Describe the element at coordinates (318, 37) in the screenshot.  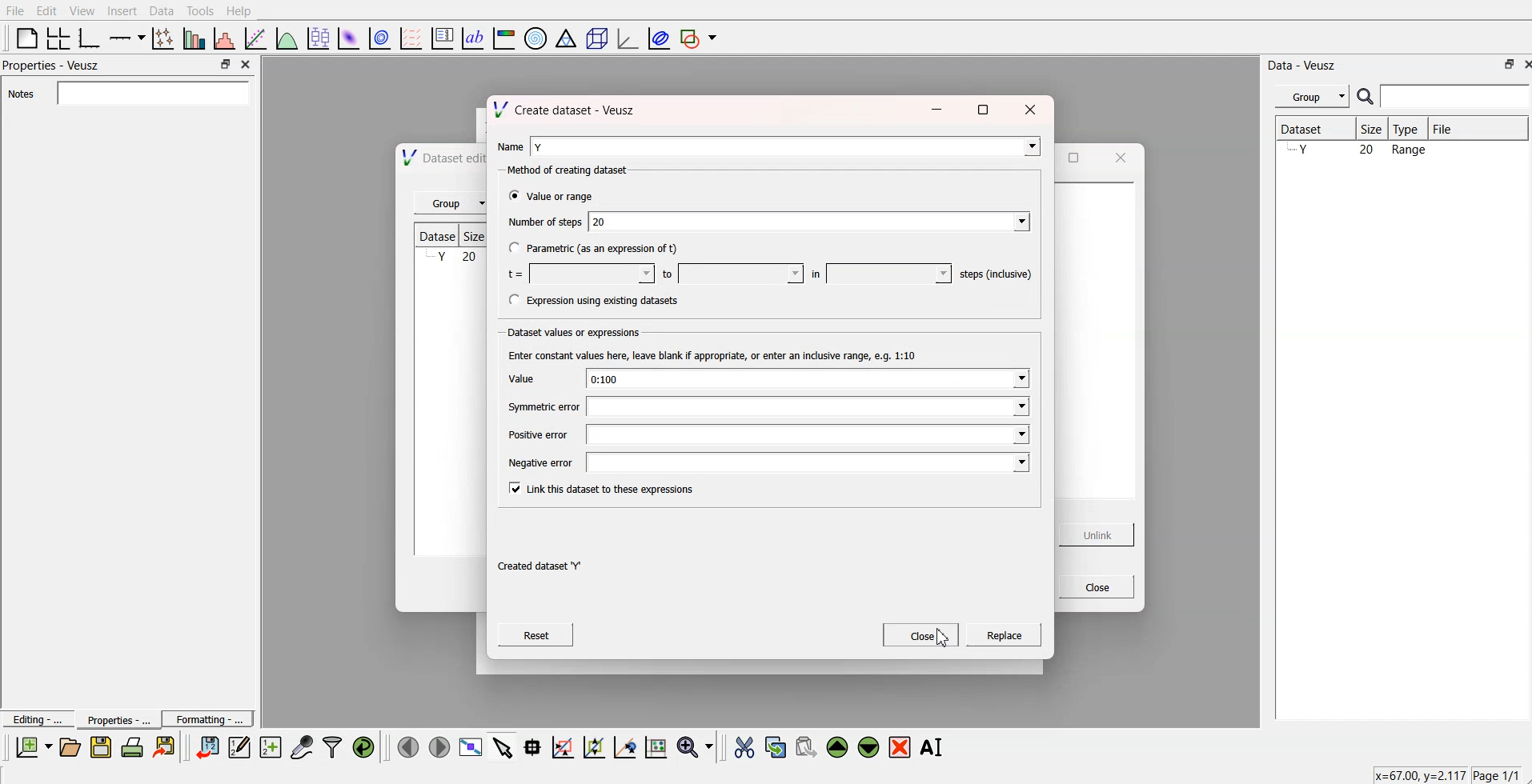
I see `plot box plots` at that location.